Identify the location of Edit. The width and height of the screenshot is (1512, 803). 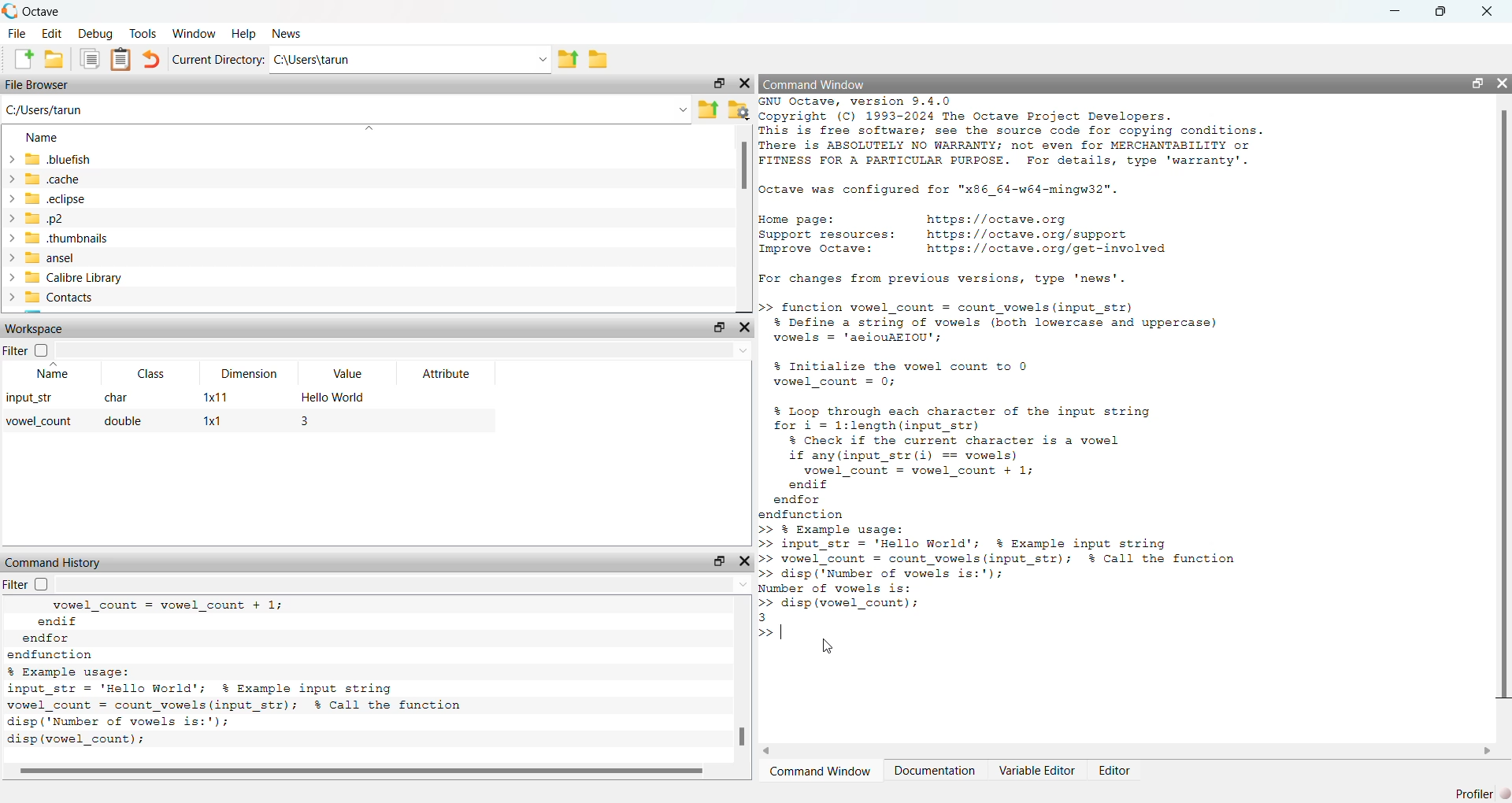
(53, 33).